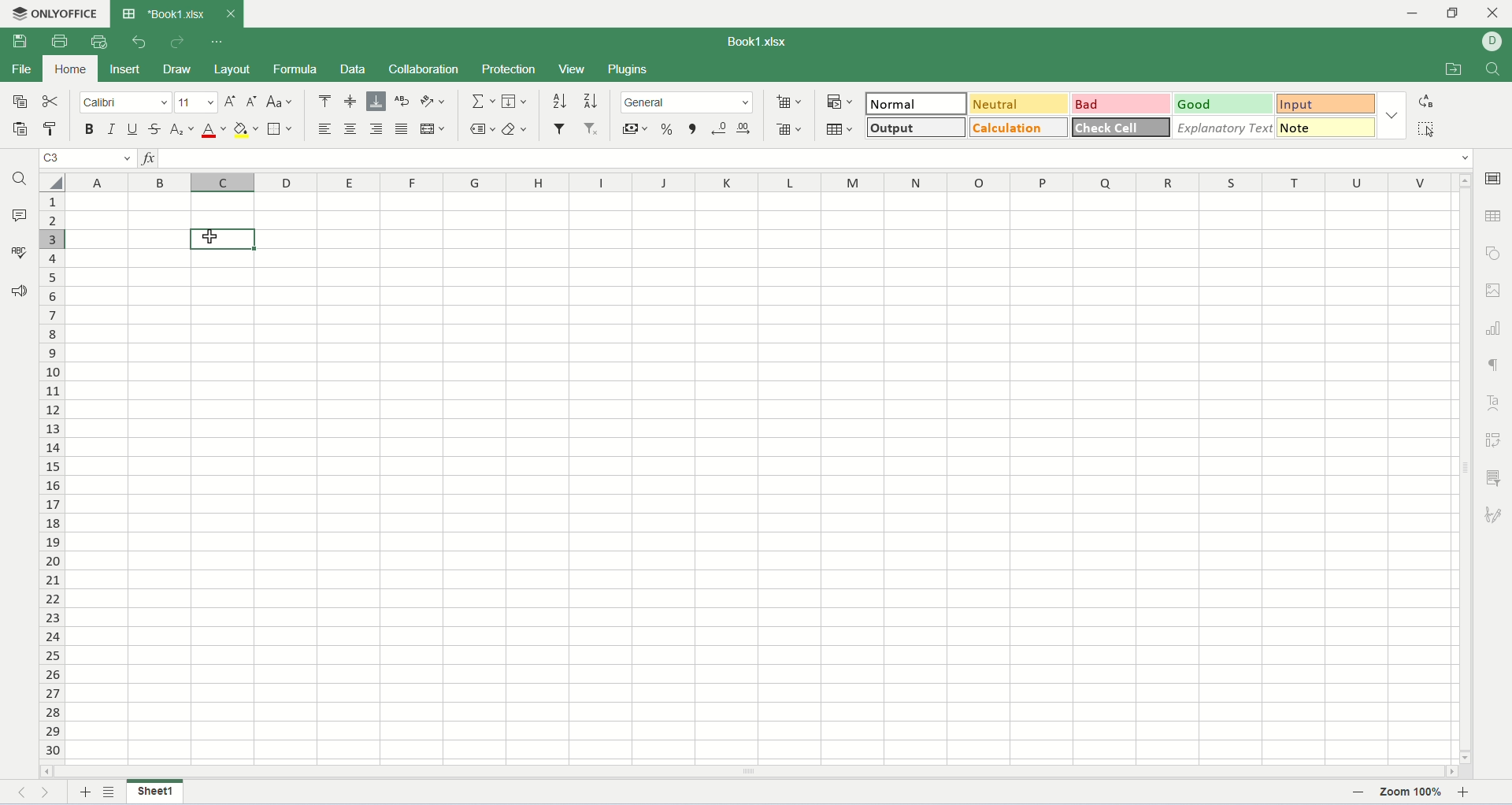 The image size is (1512, 805). I want to click on remove filter, so click(590, 129).